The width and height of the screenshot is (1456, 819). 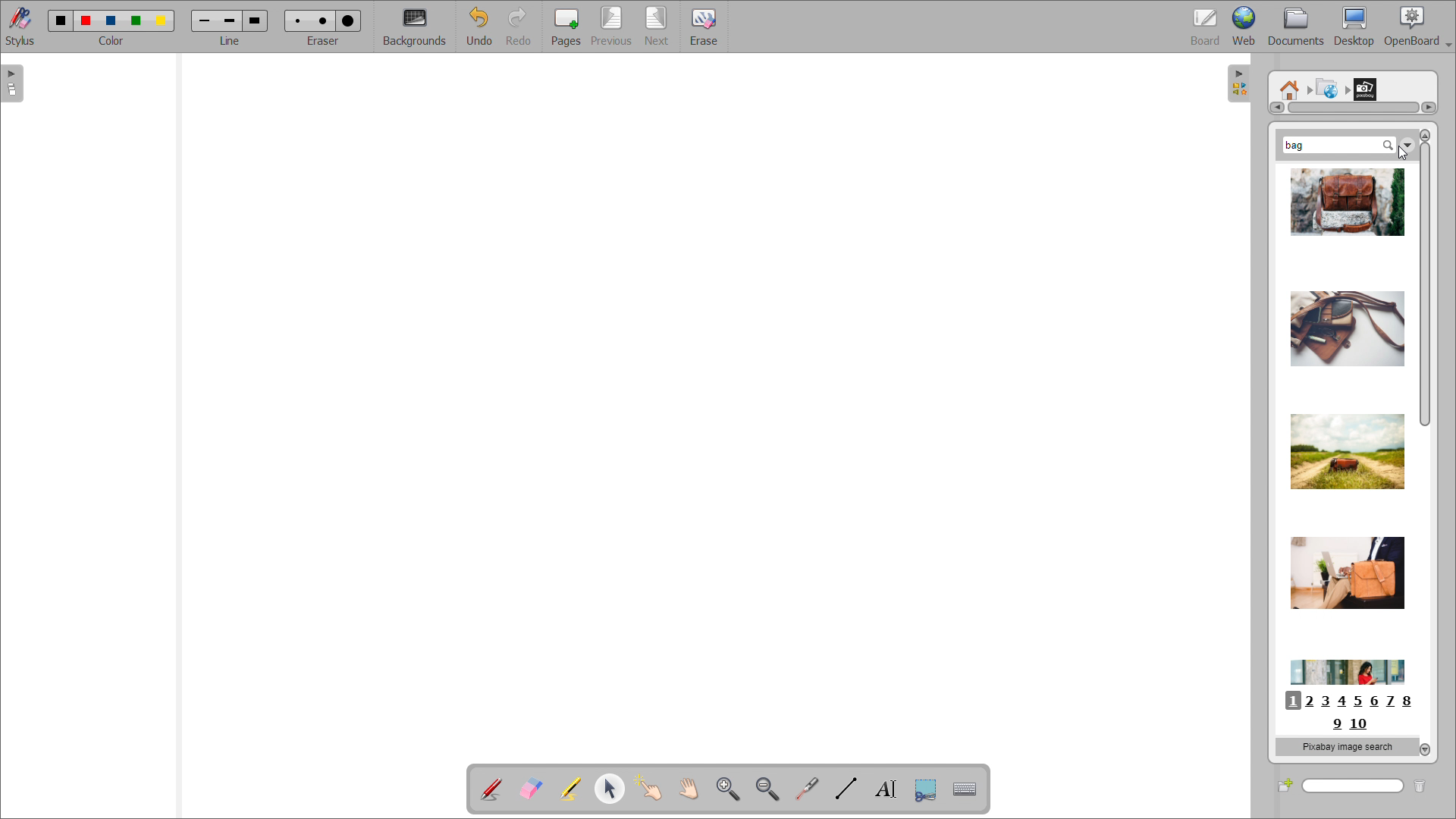 I want to click on Medium line, so click(x=231, y=20).